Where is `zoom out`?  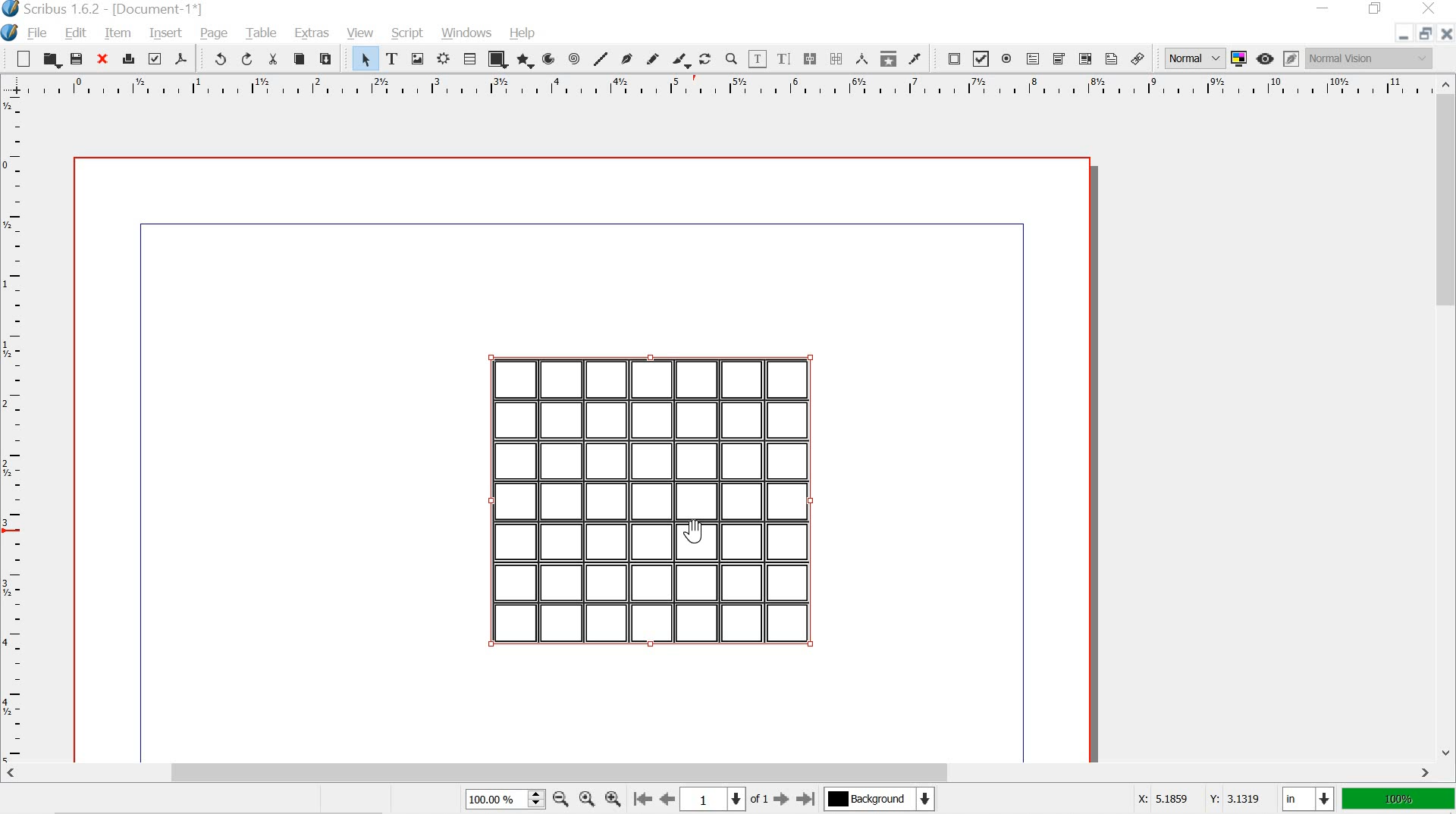 zoom out is located at coordinates (559, 798).